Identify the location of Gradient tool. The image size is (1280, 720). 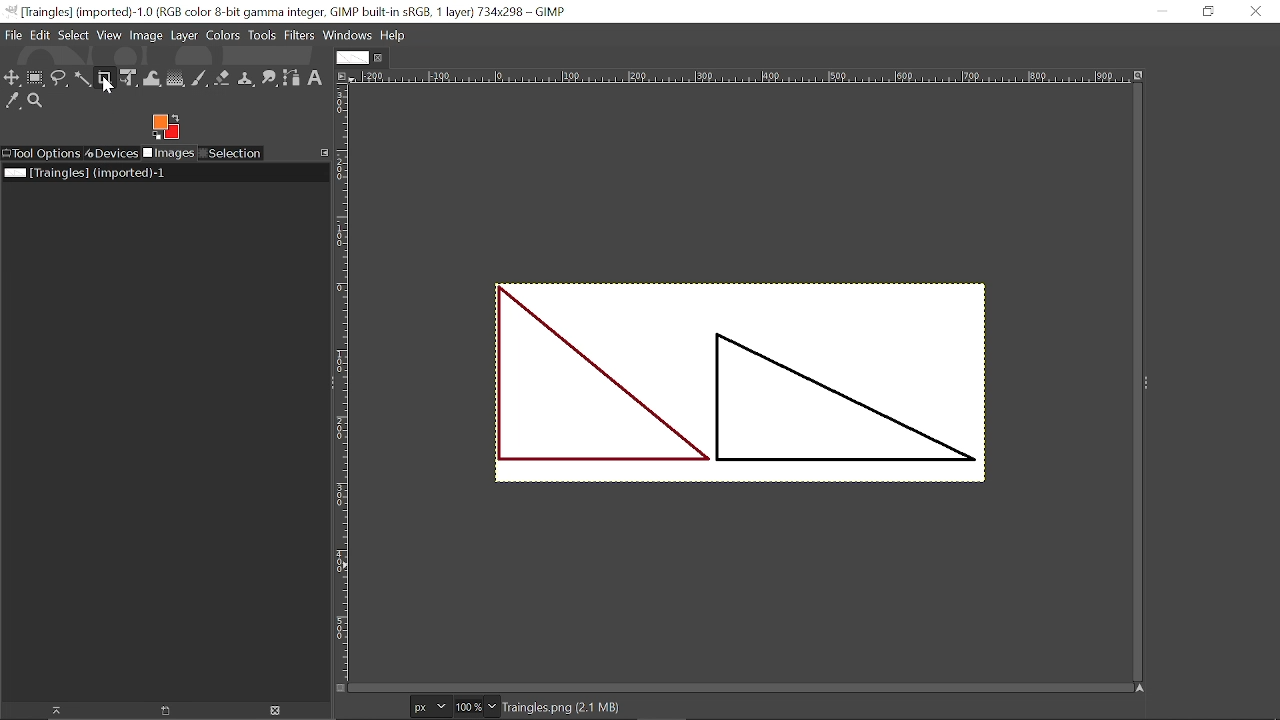
(176, 78).